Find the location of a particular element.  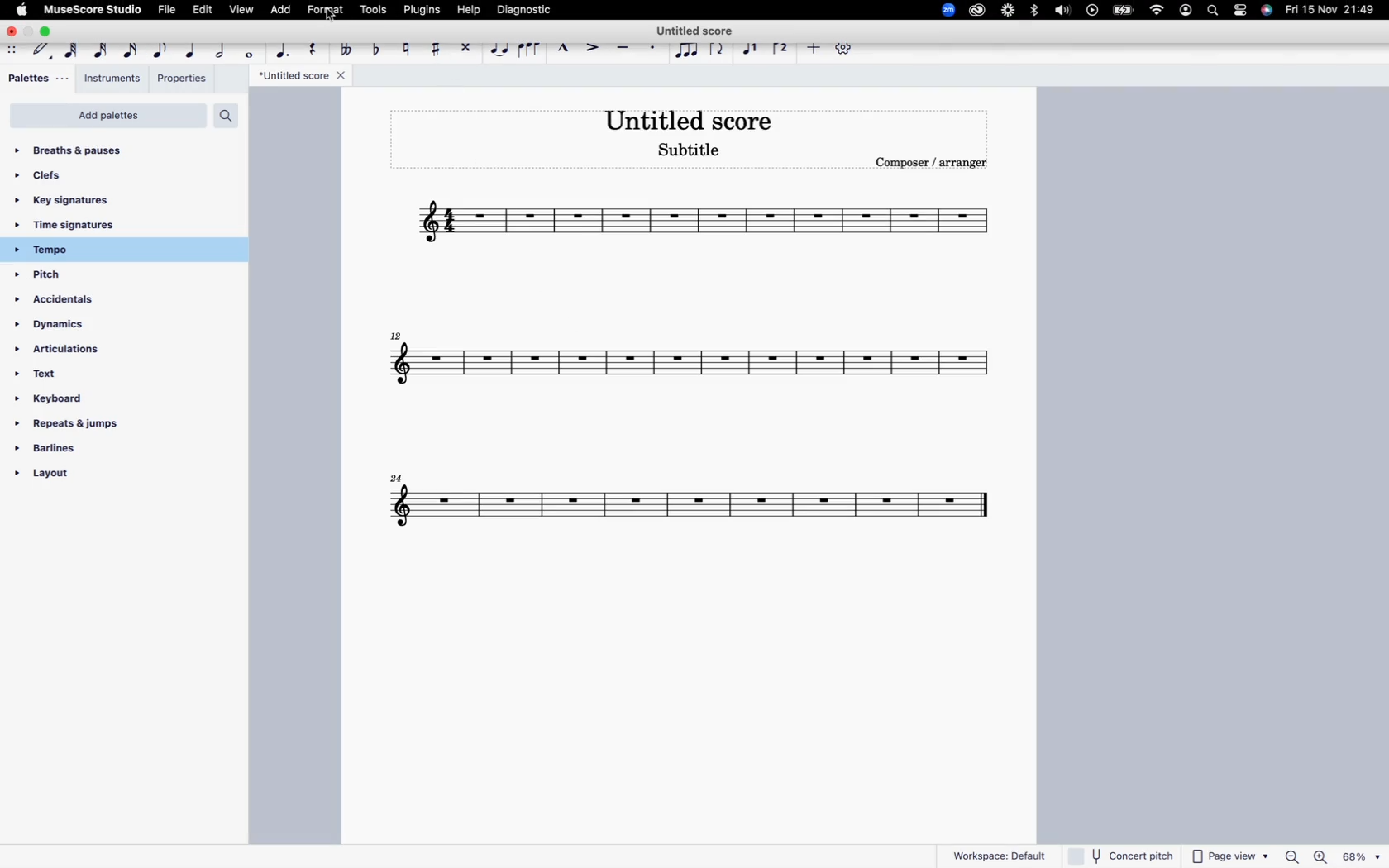

toggle sharp is located at coordinates (438, 46).